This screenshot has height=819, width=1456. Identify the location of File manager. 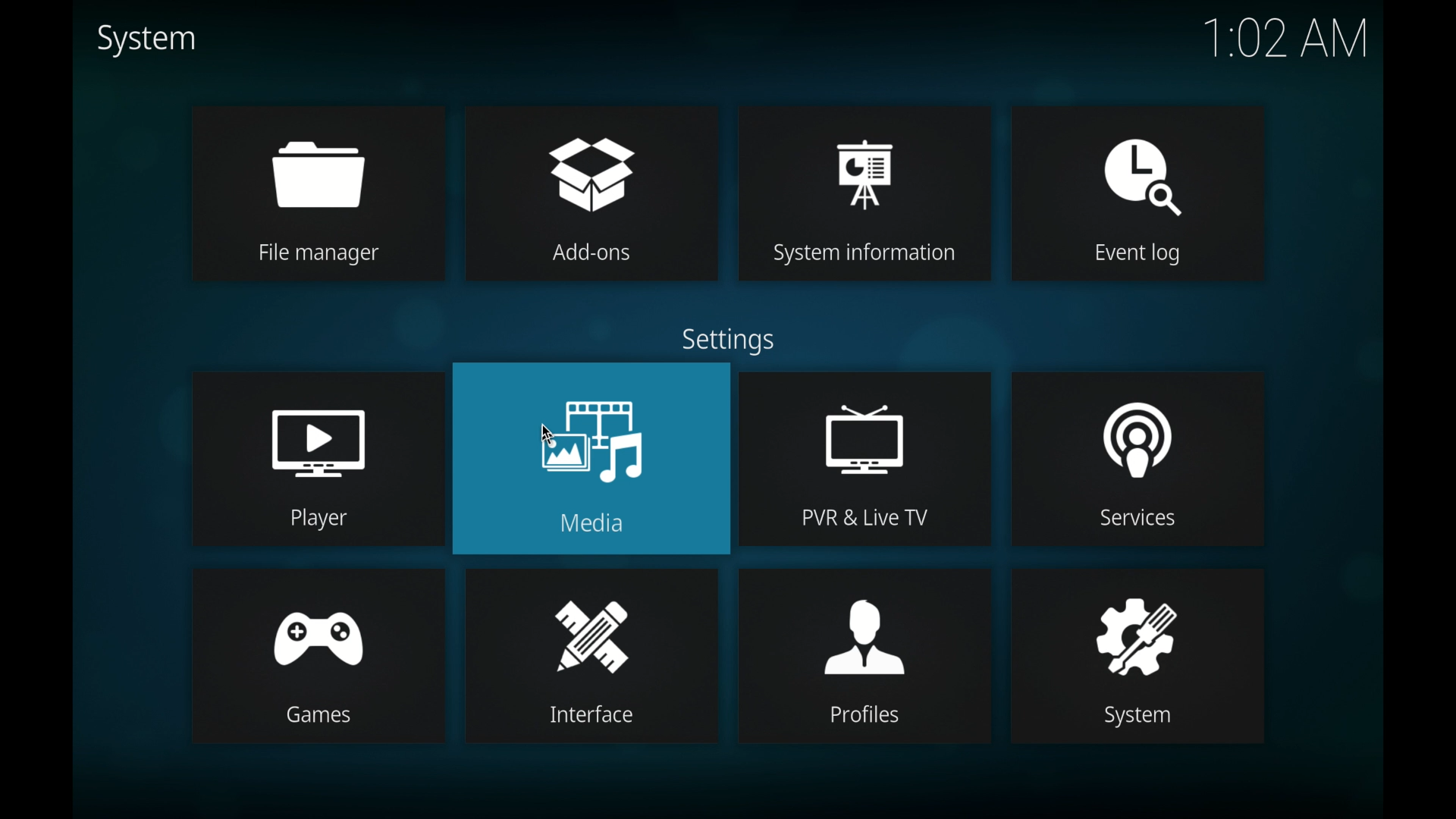
(317, 252).